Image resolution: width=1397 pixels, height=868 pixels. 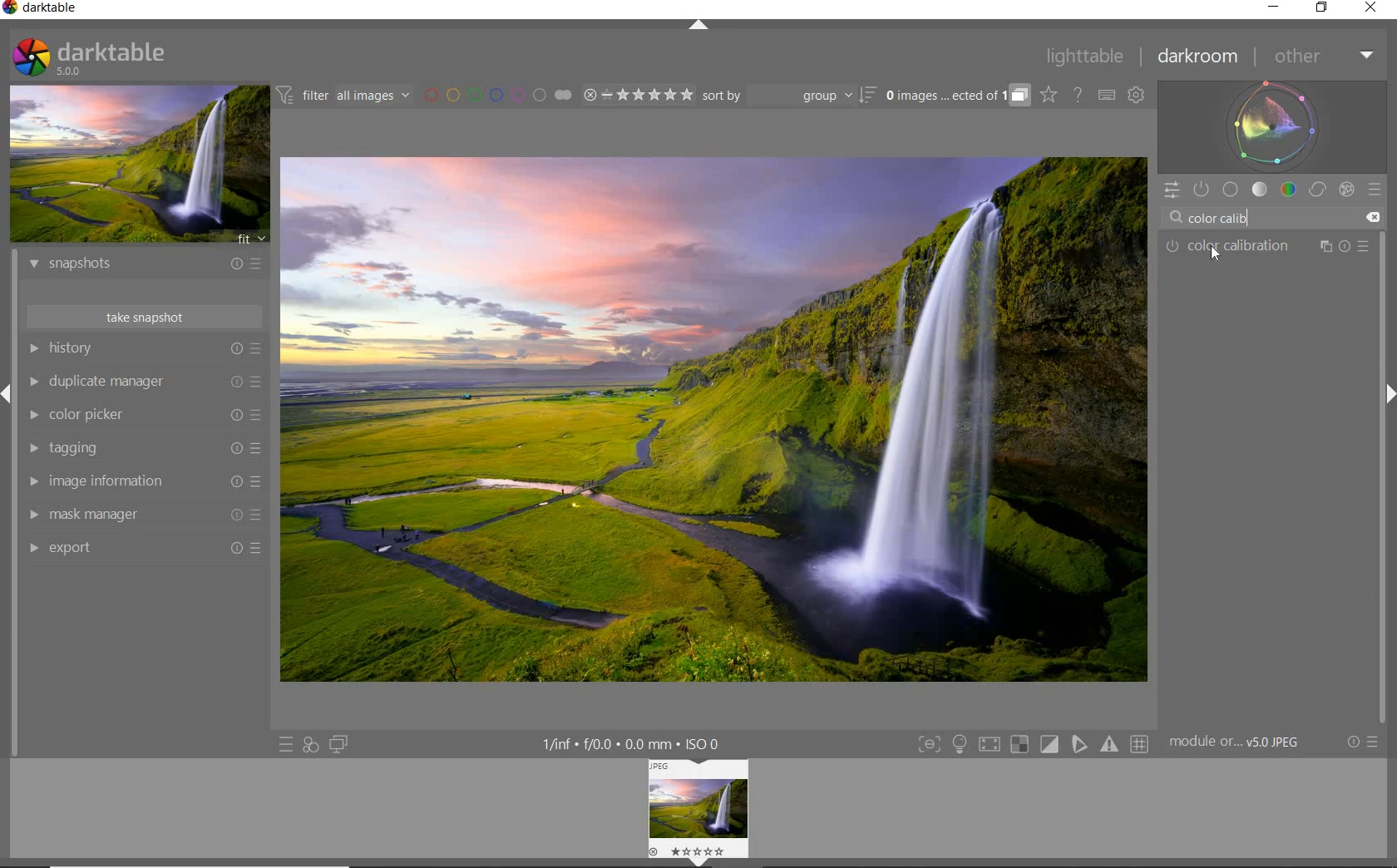 I want to click on DELETE, so click(x=1372, y=218).